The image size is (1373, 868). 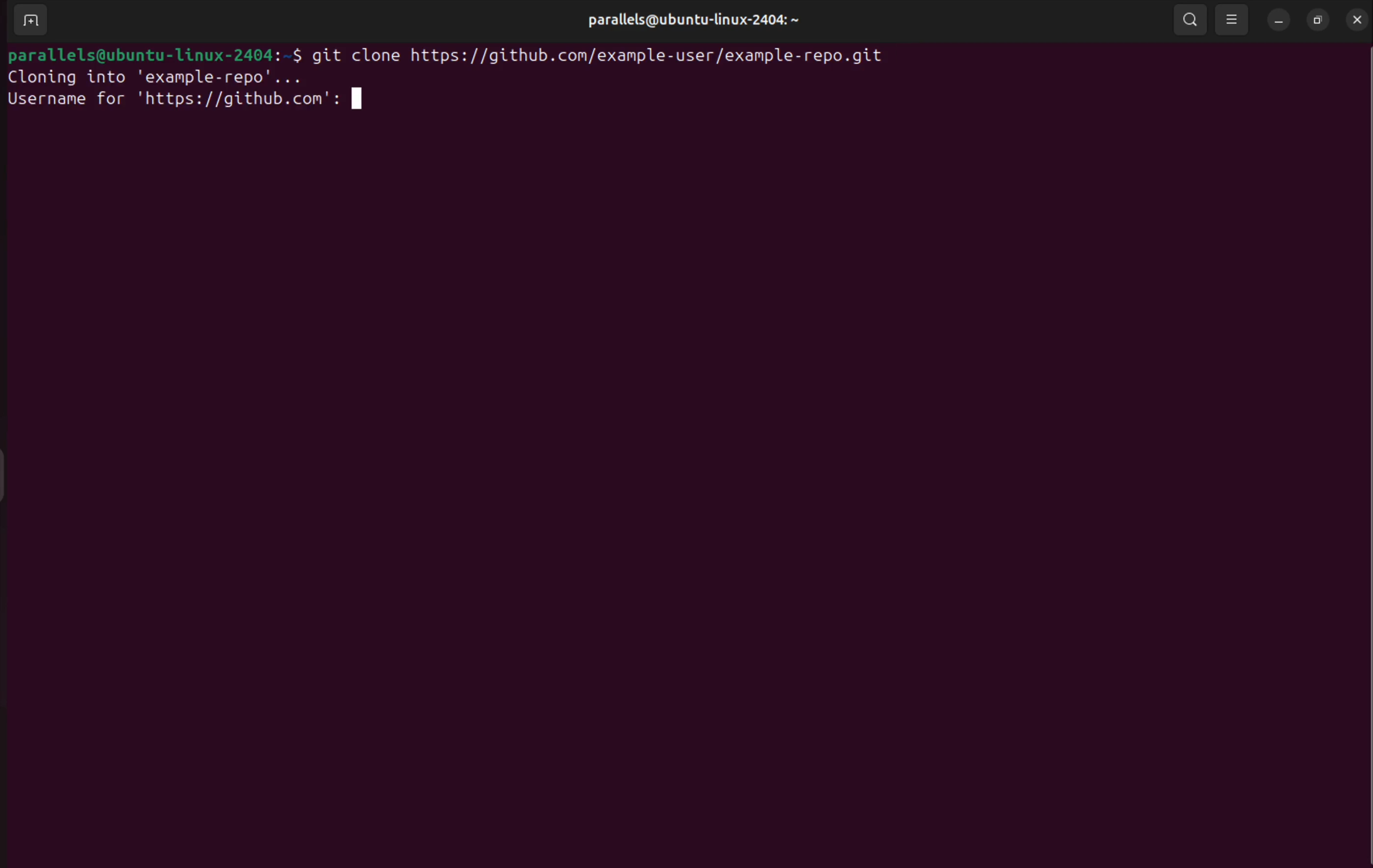 What do you see at coordinates (1318, 21) in the screenshot?
I see `resize` at bounding box center [1318, 21].